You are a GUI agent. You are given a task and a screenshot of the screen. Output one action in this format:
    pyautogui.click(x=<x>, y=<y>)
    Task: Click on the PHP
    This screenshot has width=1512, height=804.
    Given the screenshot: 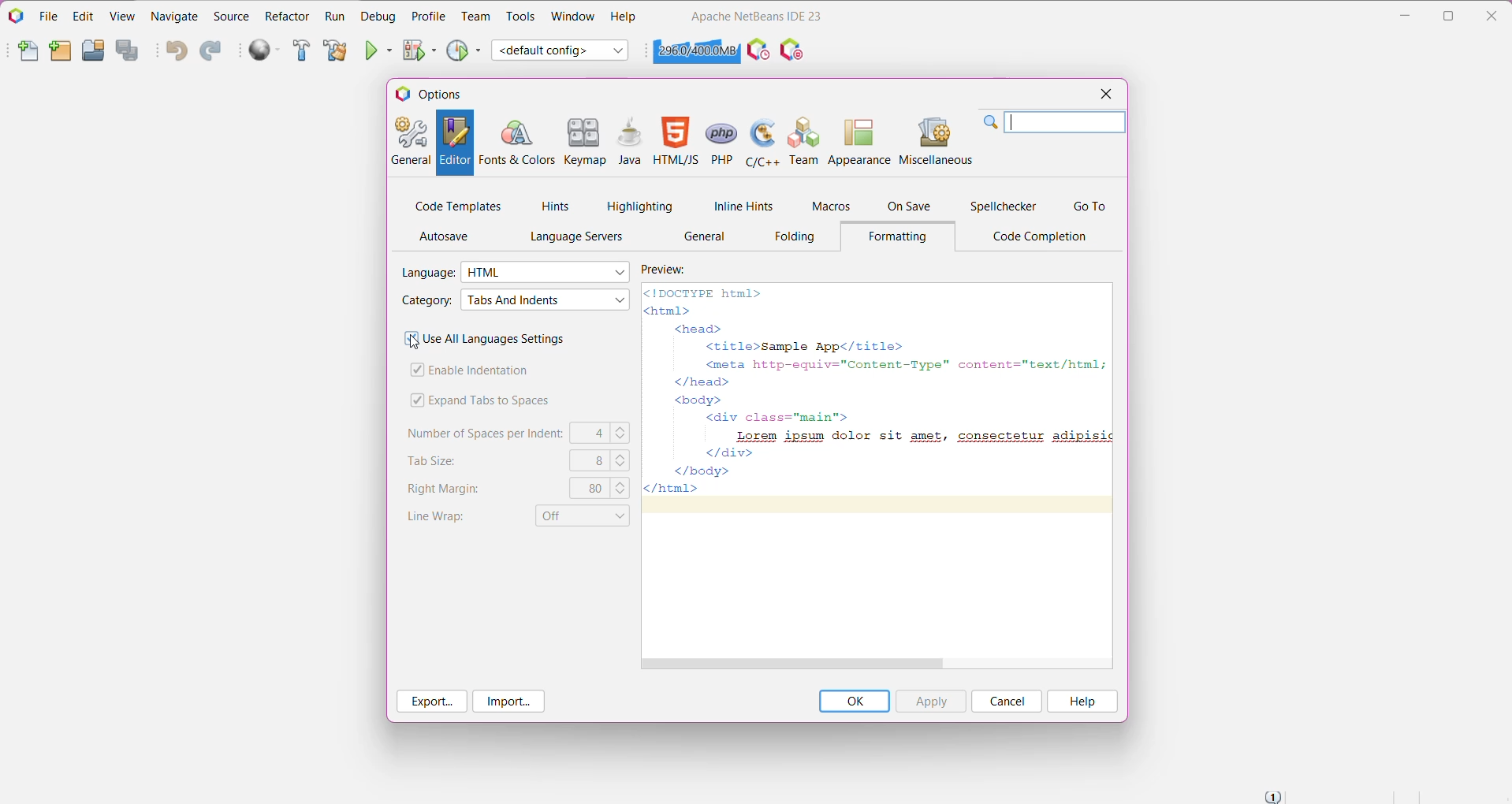 What is the action you would take?
    pyautogui.click(x=722, y=141)
    